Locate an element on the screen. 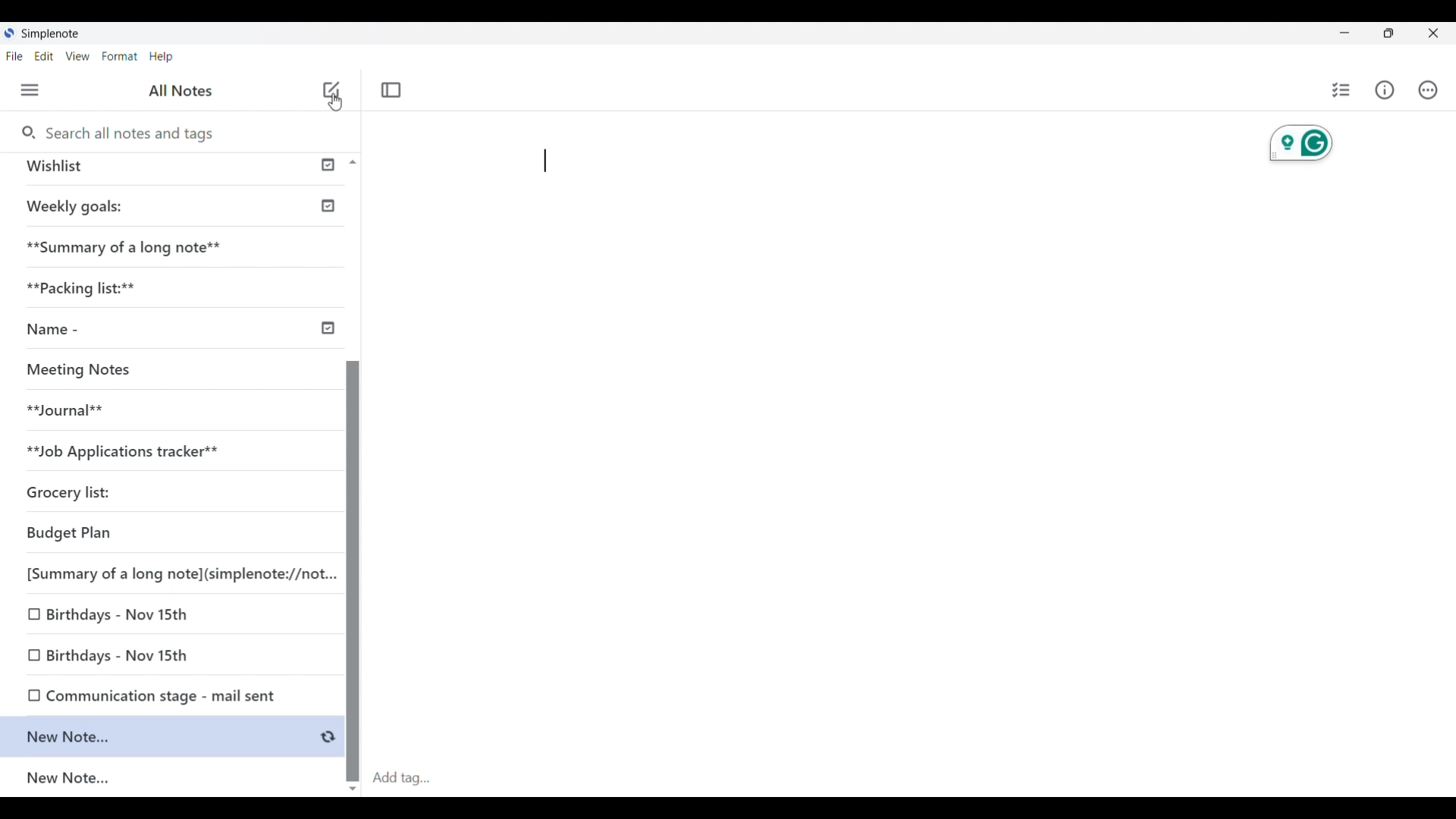 The height and width of the screenshot is (819, 1456). Toggle focus mode is located at coordinates (392, 89).